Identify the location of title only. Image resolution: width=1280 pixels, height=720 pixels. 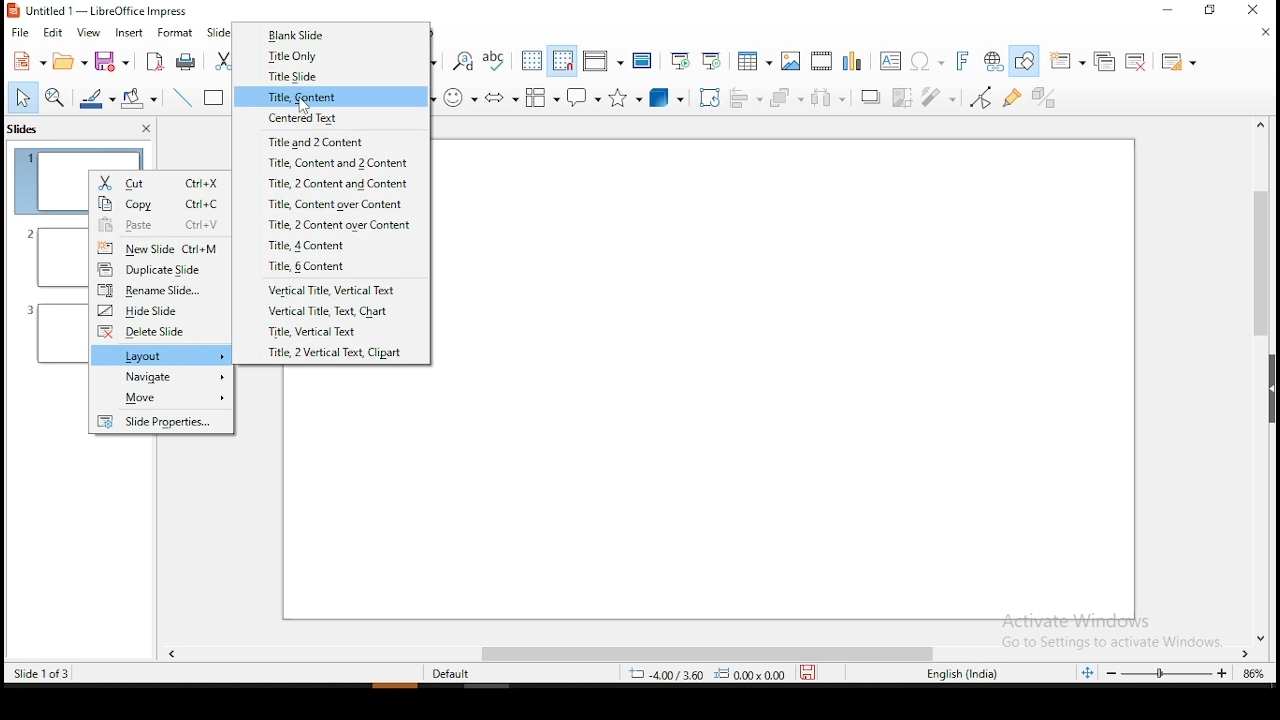
(293, 56).